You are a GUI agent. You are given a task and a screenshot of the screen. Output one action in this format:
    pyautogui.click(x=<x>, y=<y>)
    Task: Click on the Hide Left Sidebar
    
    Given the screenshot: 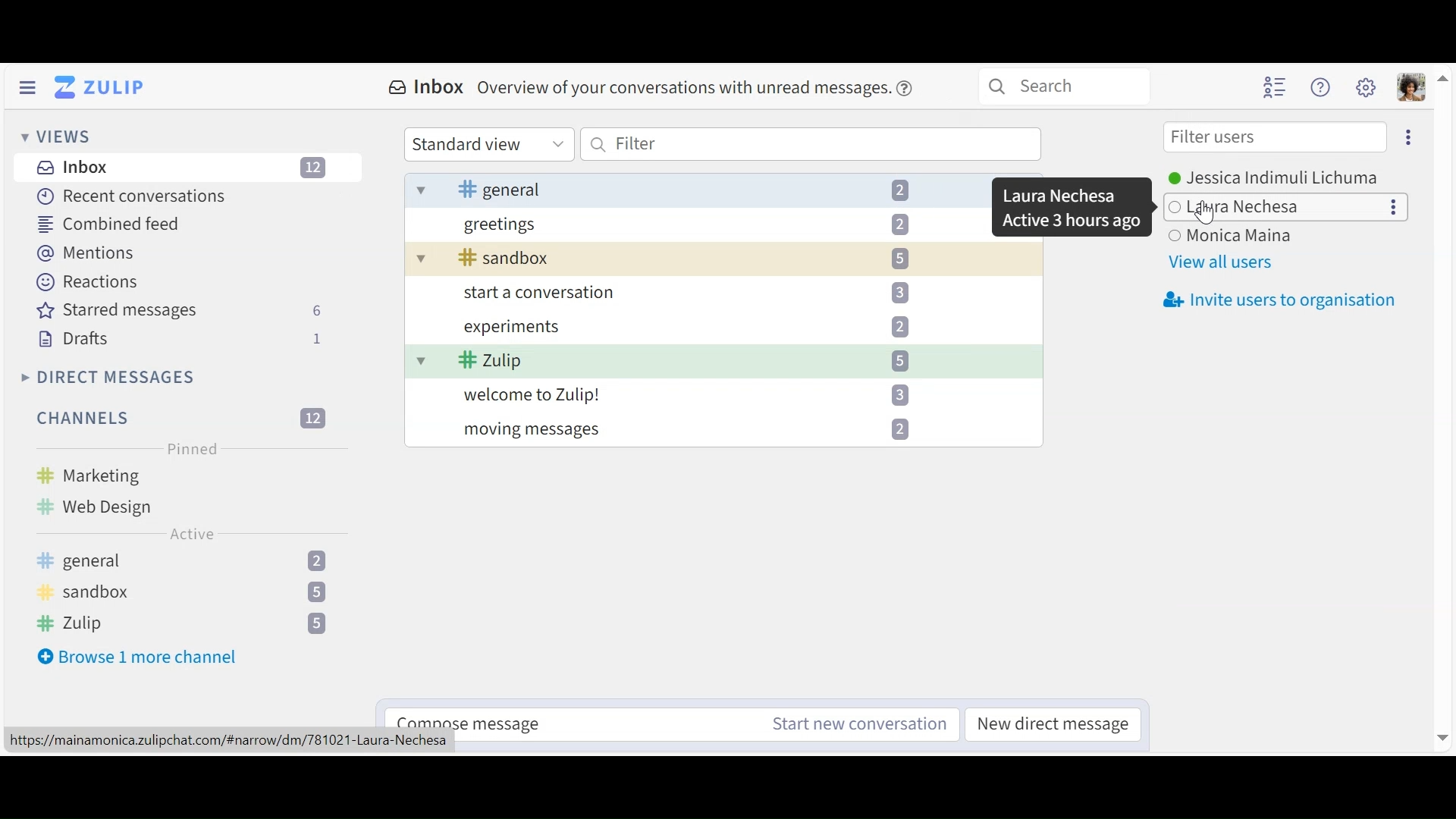 What is the action you would take?
    pyautogui.click(x=25, y=86)
    